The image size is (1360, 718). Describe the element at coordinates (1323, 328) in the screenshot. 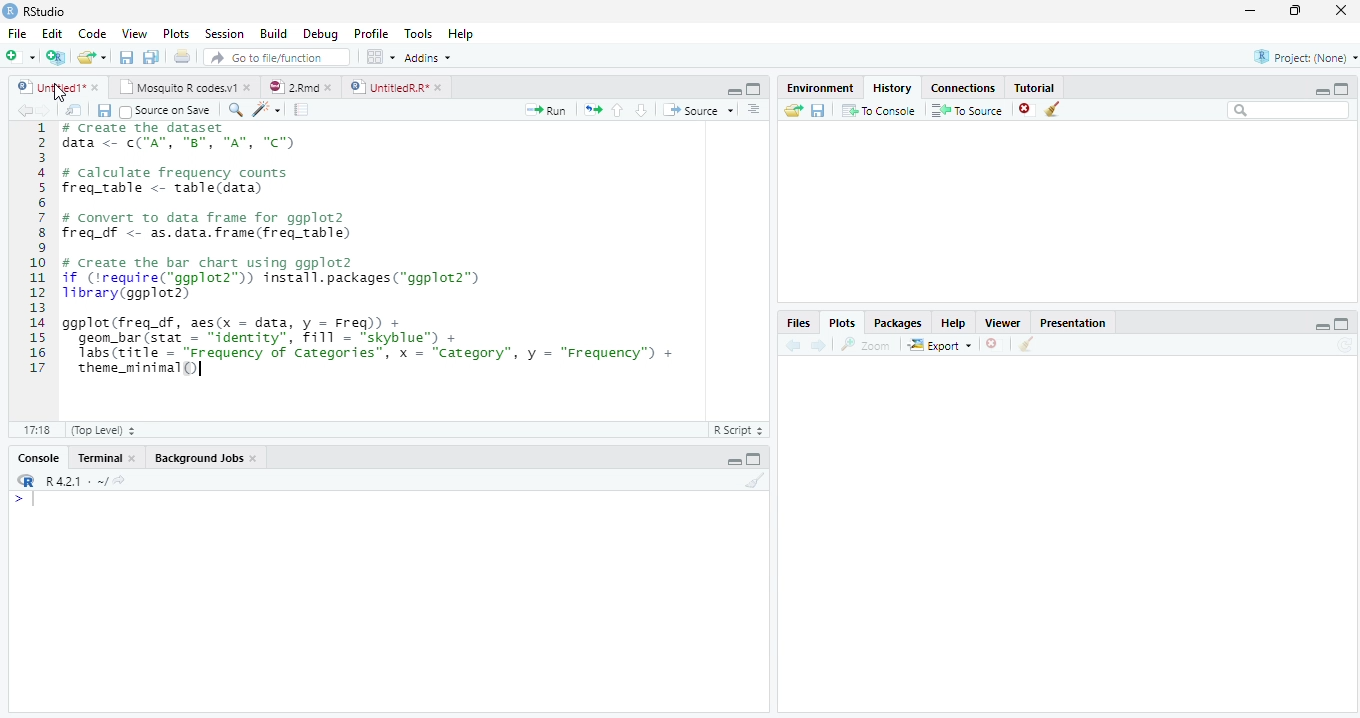

I see `Minimize` at that location.